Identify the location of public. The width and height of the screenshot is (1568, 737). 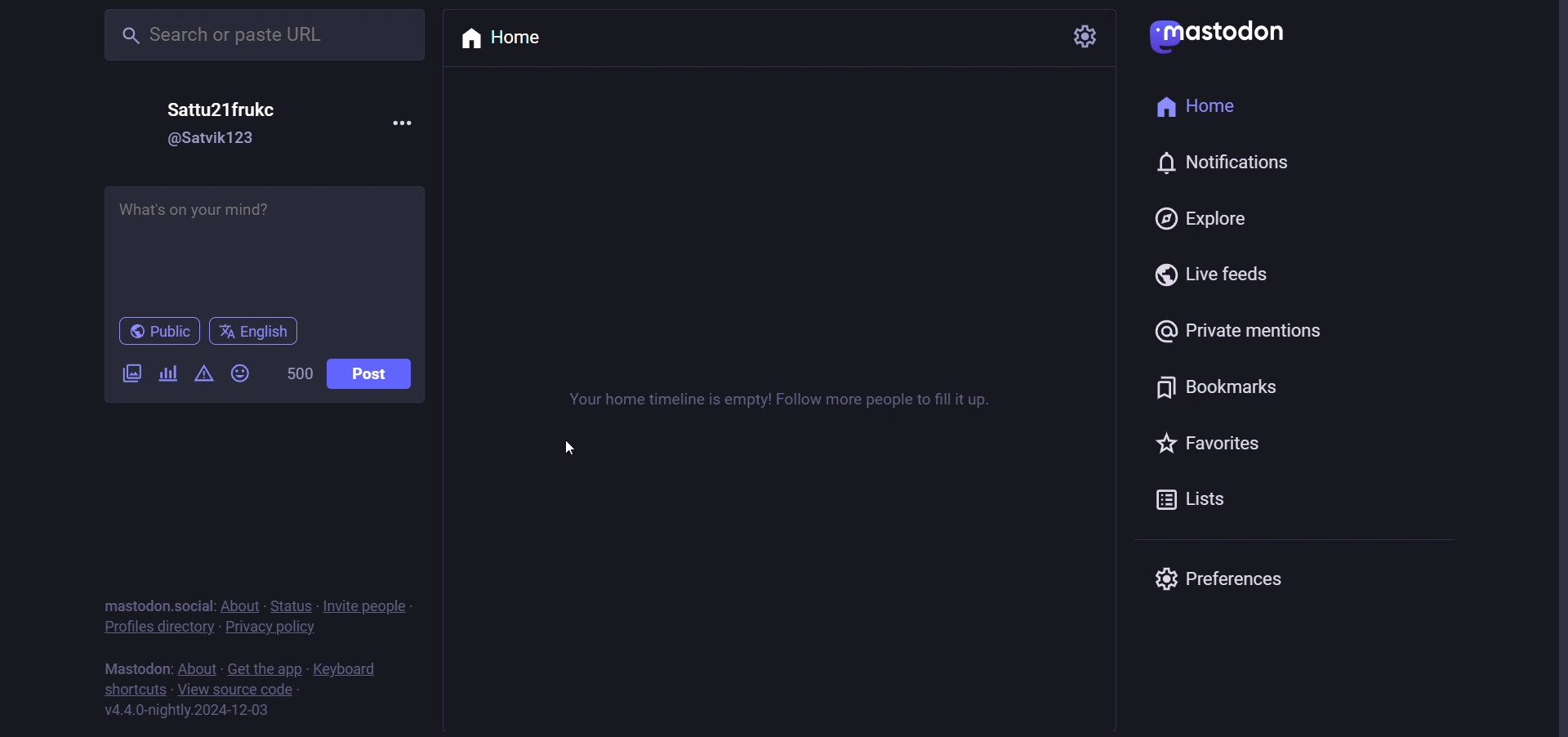
(155, 331).